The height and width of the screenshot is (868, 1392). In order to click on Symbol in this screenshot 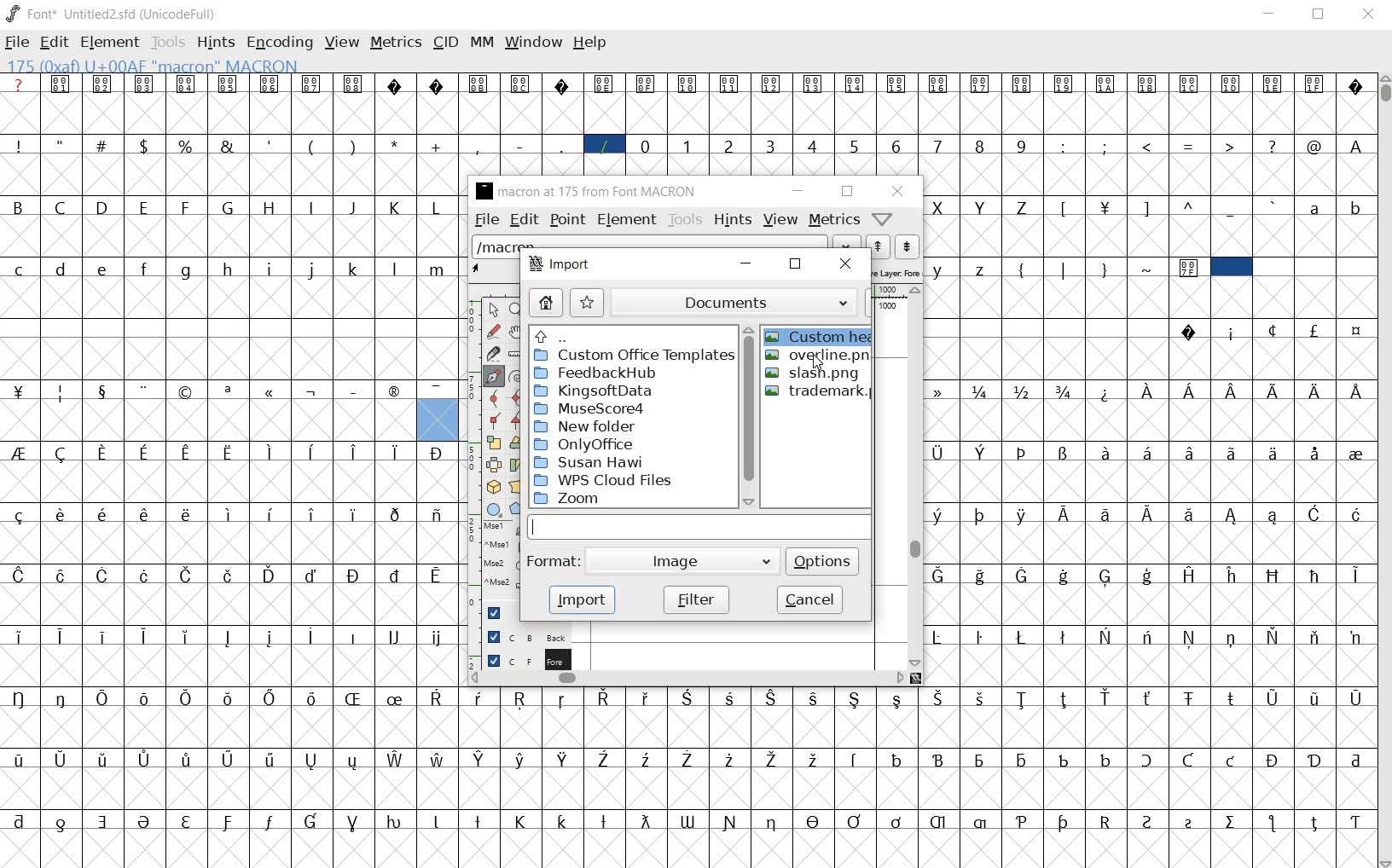, I will do `click(1107, 576)`.